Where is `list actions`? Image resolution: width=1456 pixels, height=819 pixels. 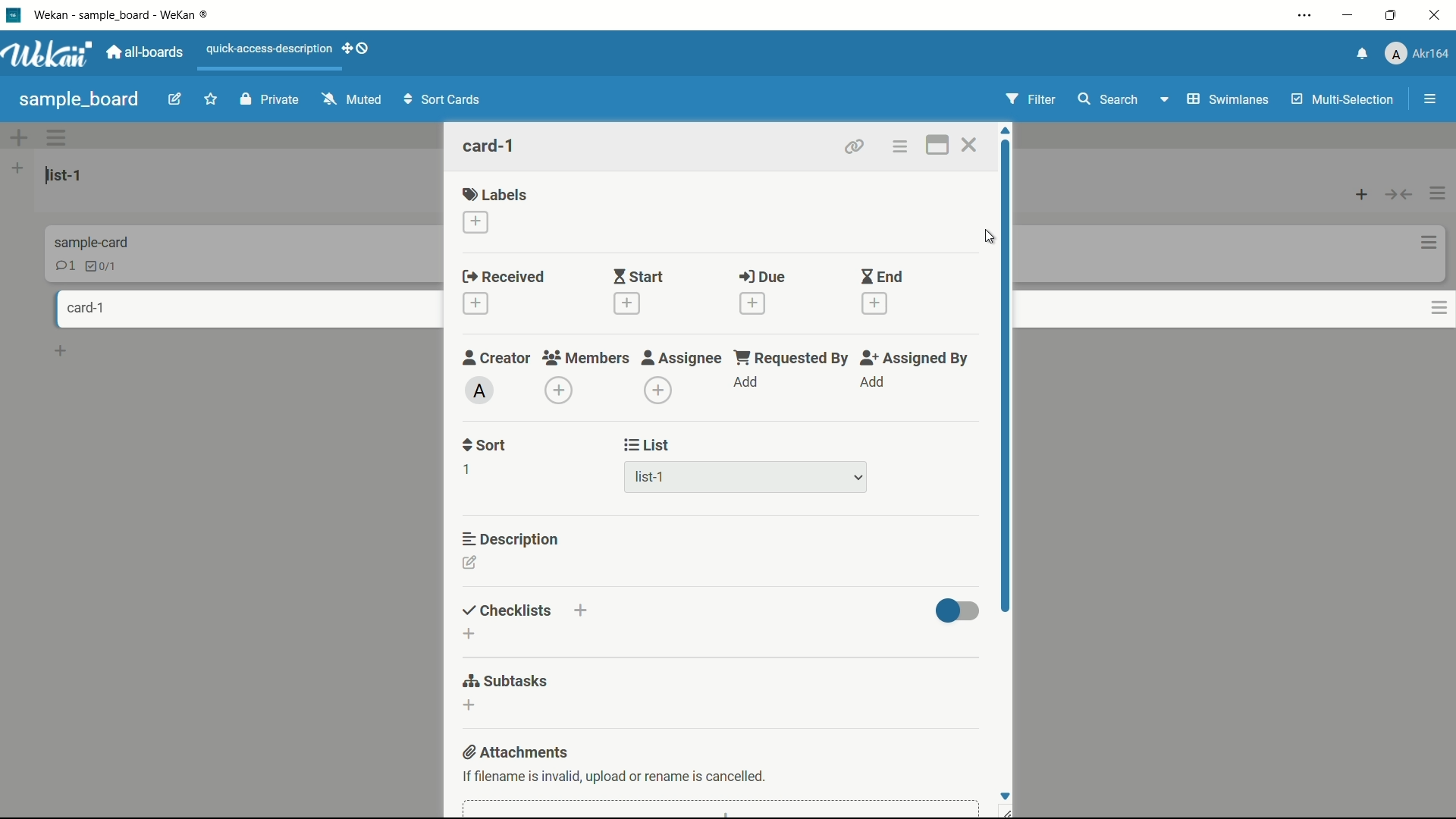
list actions is located at coordinates (1439, 190).